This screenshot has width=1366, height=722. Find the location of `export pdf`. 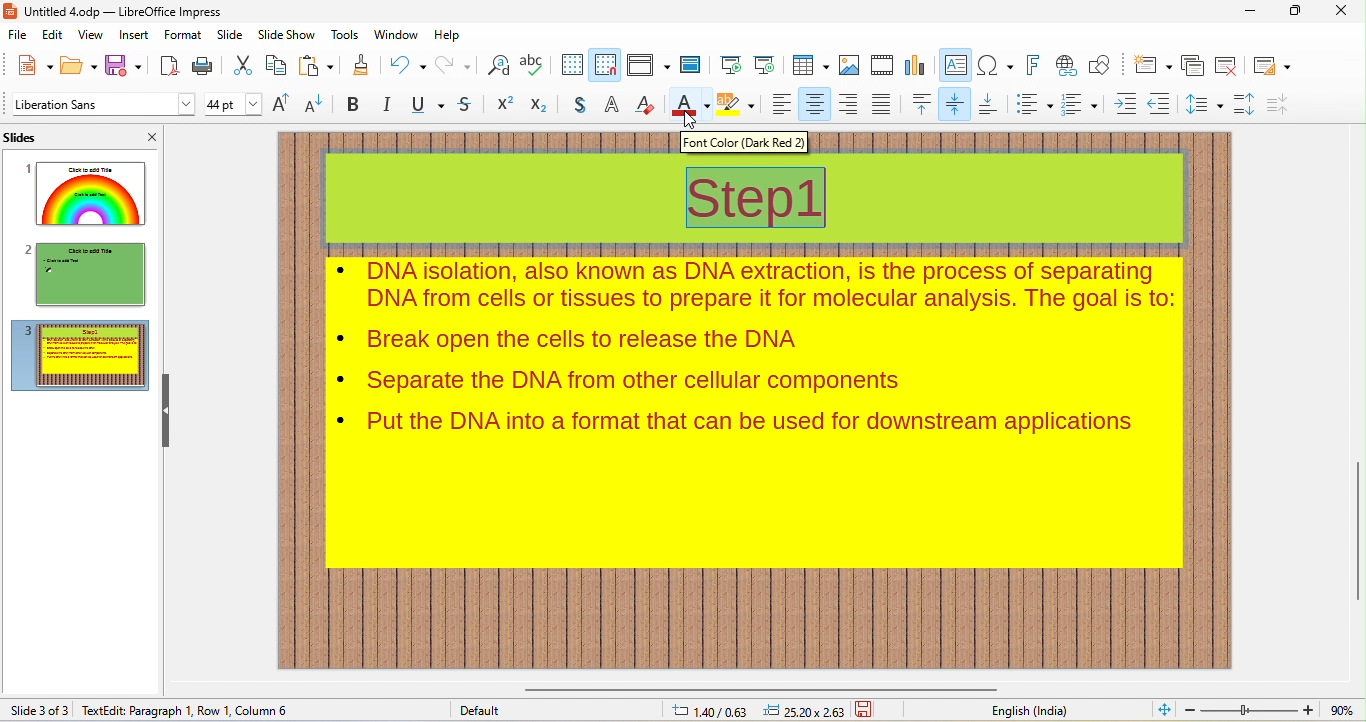

export pdf is located at coordinates (169, 67).